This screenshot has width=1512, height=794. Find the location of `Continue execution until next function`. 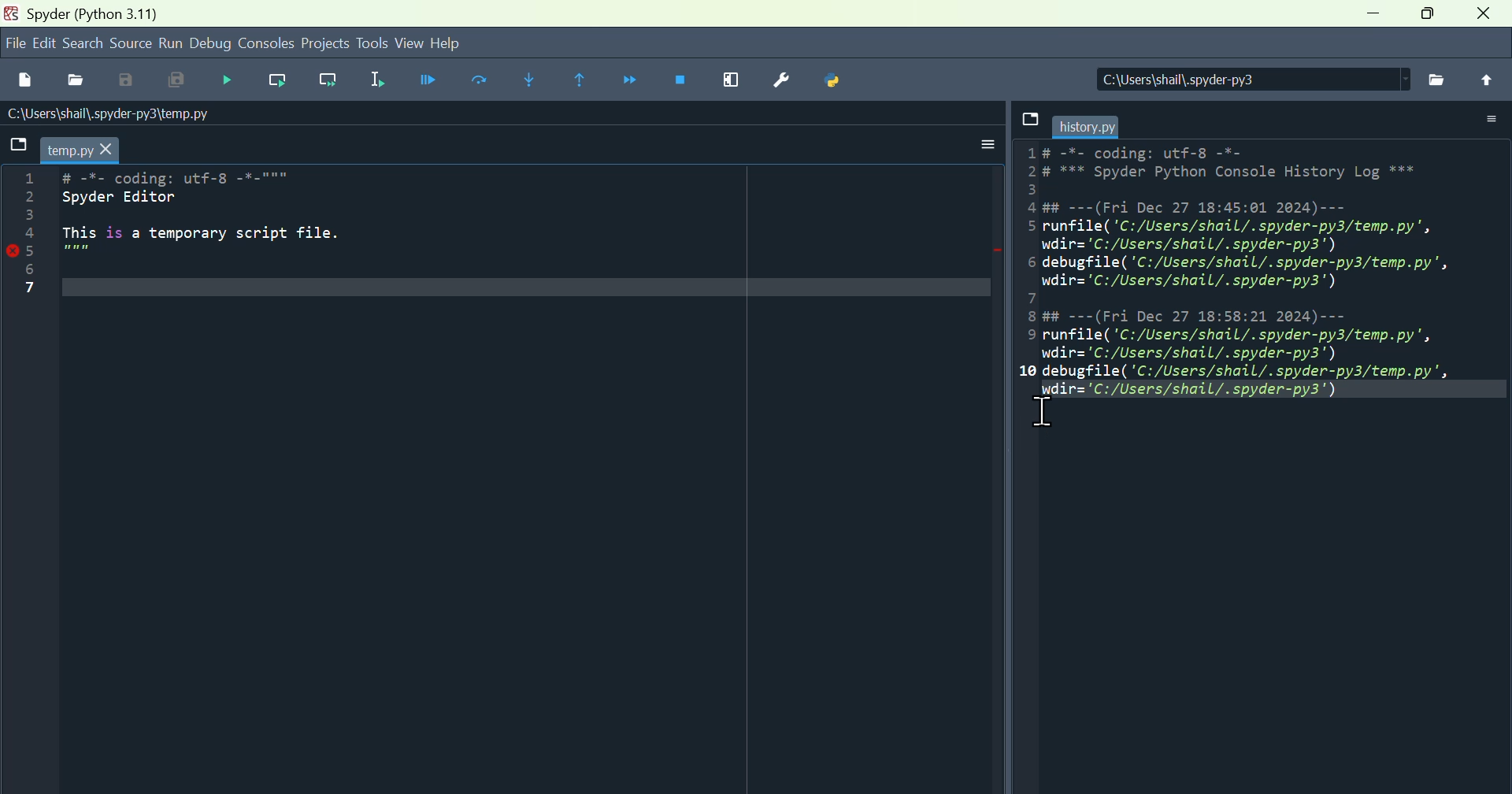

Continue execution until next function is located at coordinates (637, 81).